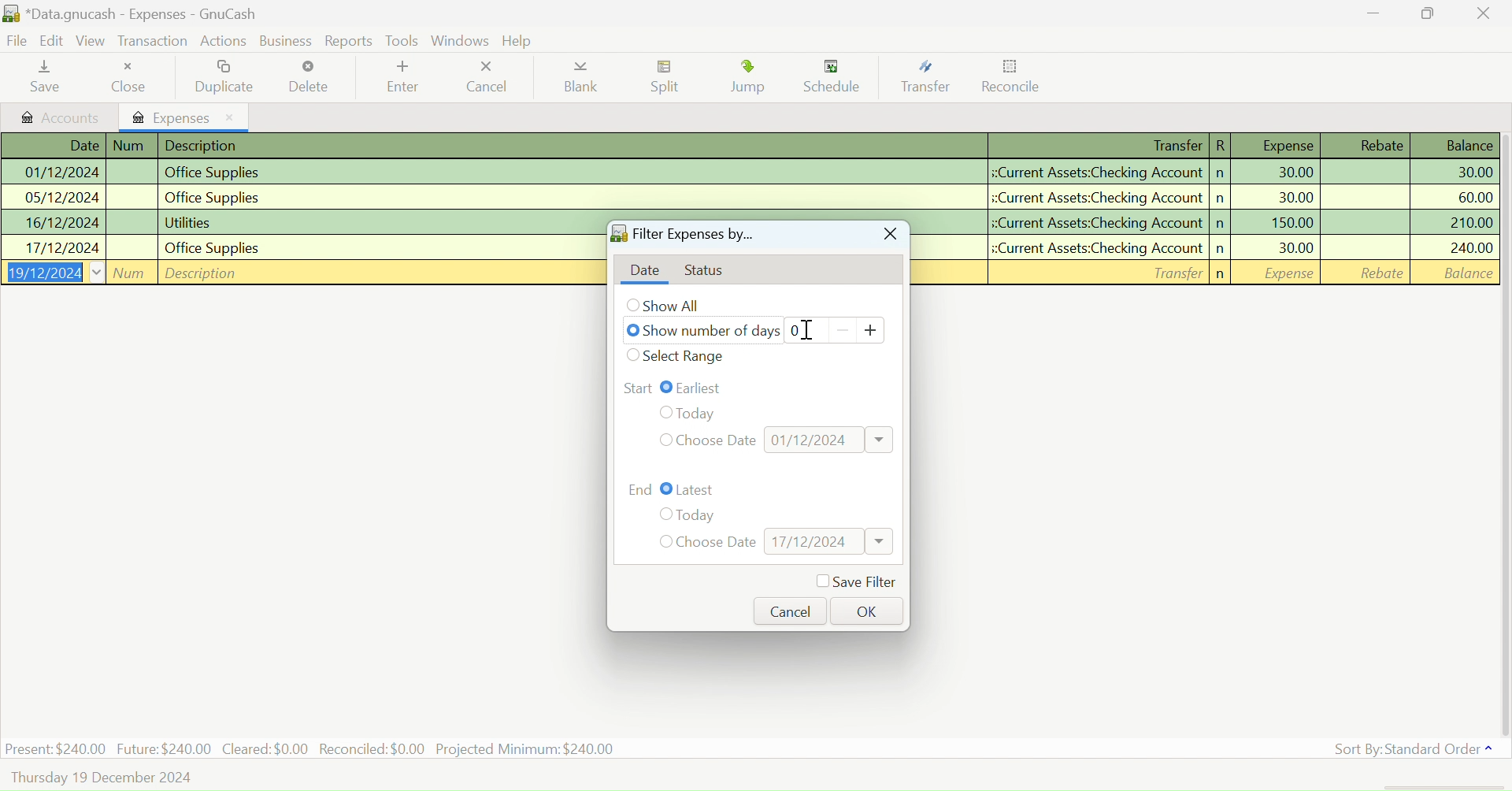 The image size is (1512, 791). What do you see at coordinates (687, 357) in the screenshot?
I see `Select Date Range` at bounding box center [687, 357].